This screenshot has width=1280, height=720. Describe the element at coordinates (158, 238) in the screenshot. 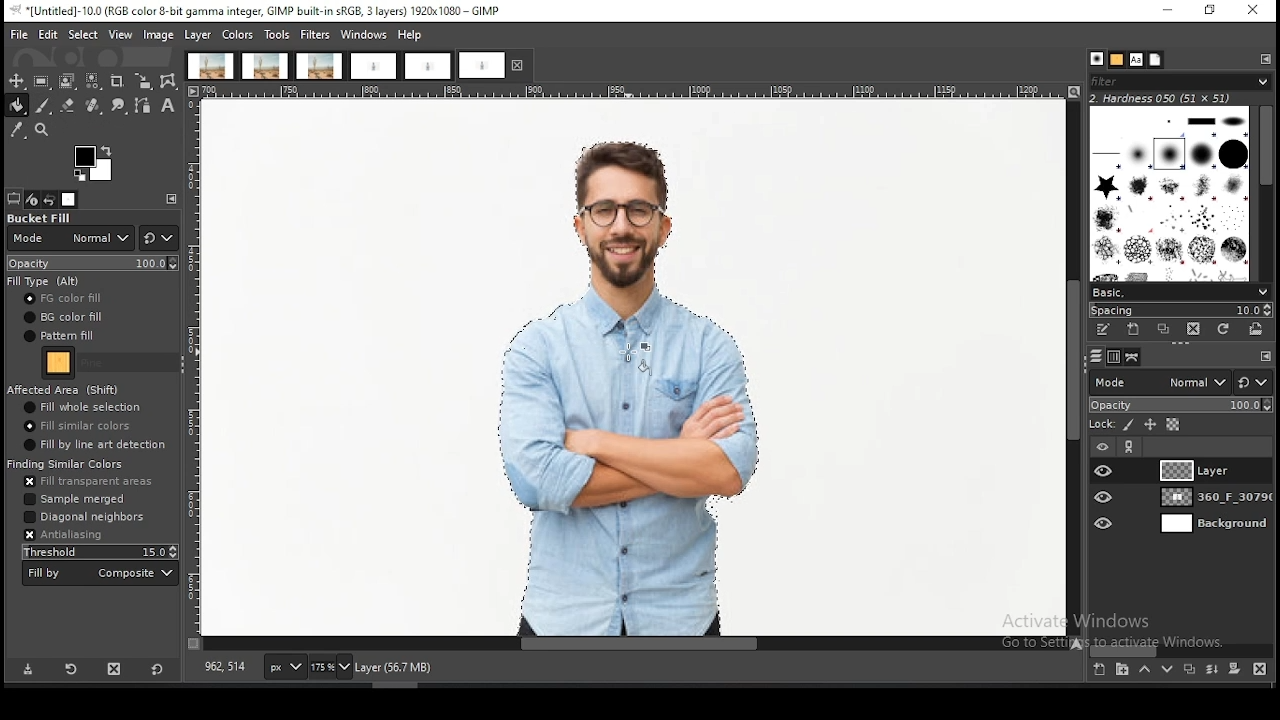

I see `reset` at that location.